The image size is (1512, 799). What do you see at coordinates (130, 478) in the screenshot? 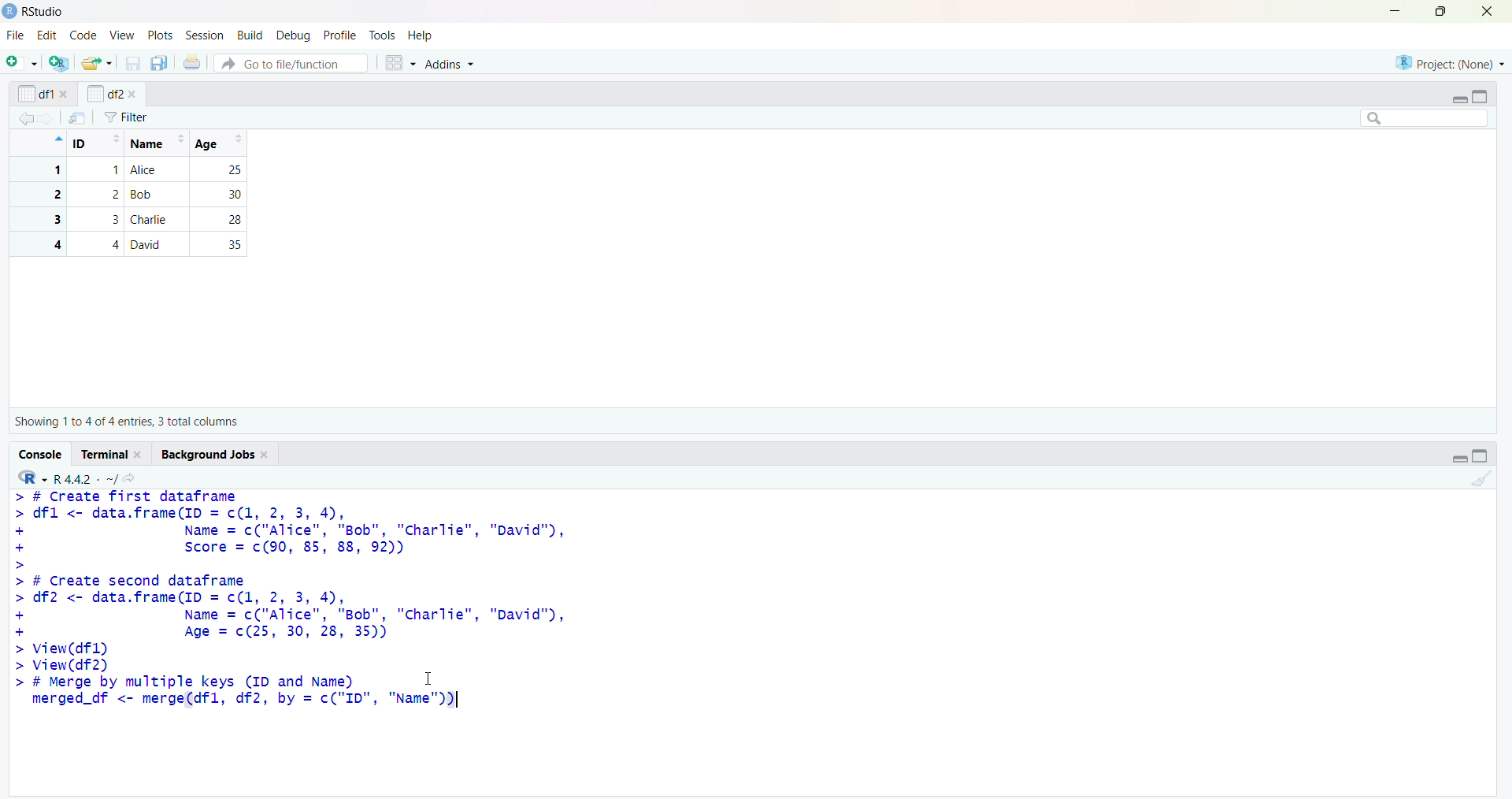
I see `share icon` at bounding box center [130, 478].